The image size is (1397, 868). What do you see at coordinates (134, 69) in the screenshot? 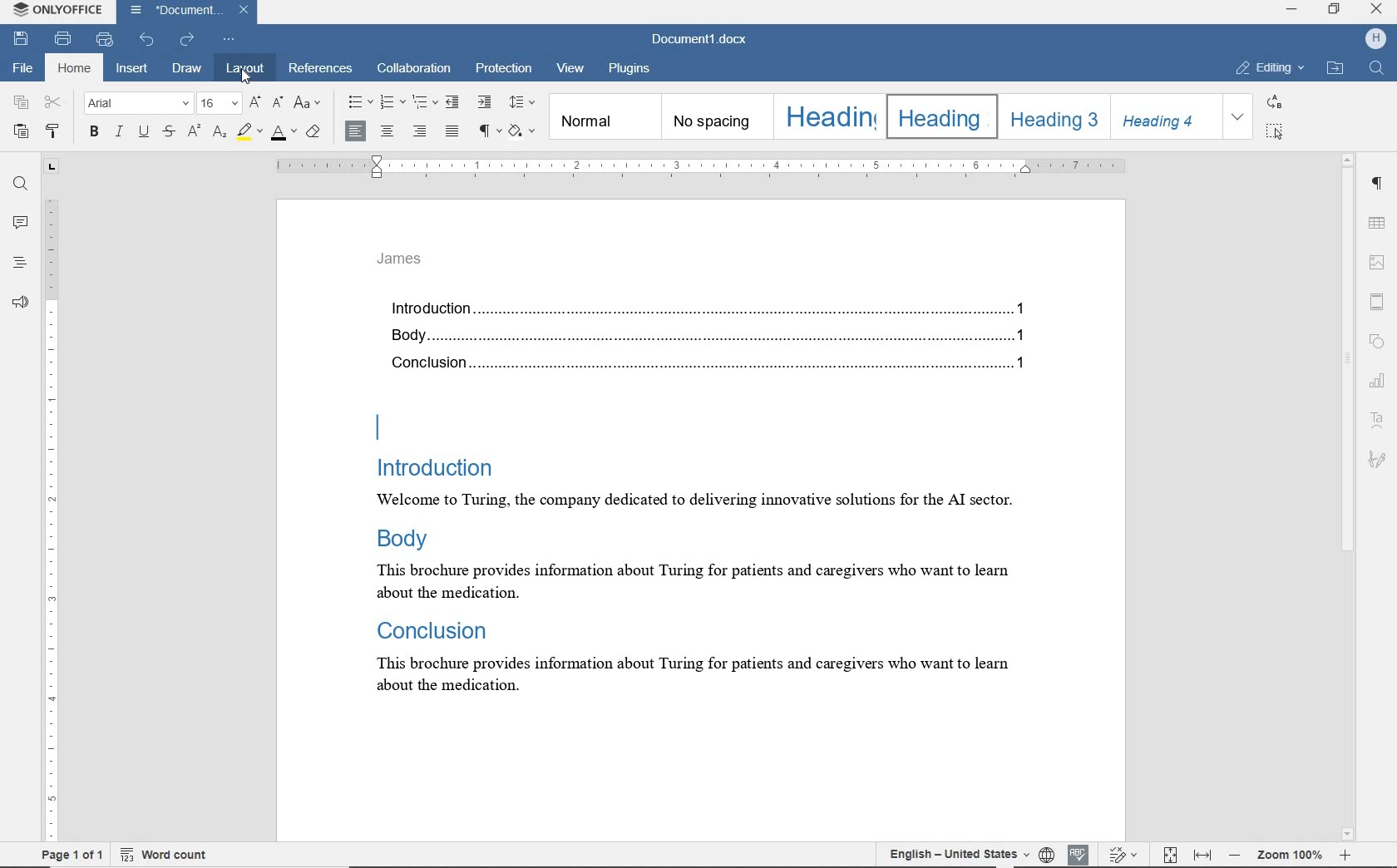
I see `insert` at bounding box center [134, 69].